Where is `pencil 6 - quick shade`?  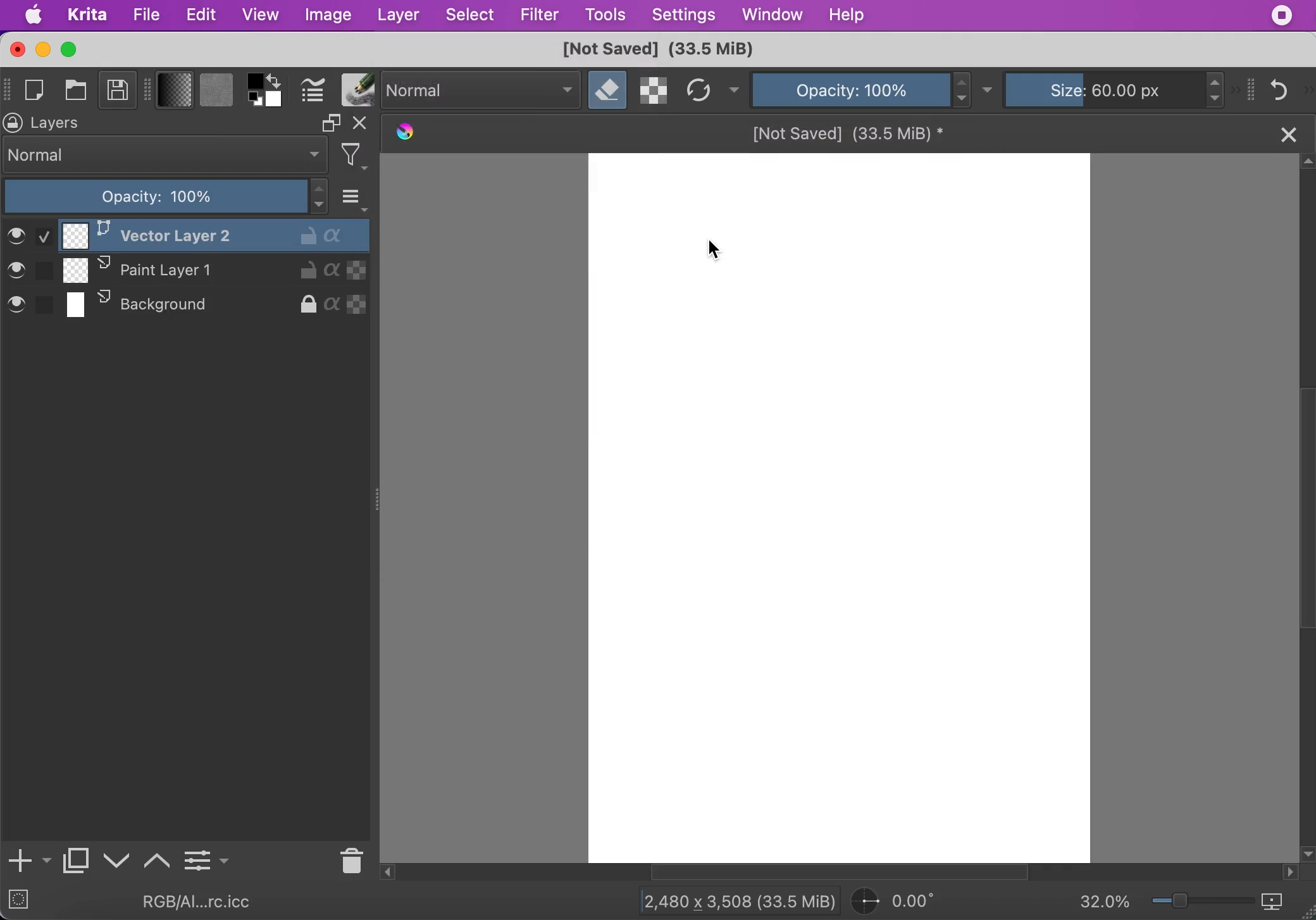
pencil 6 - quick shade is located at coordinates (85, 902).